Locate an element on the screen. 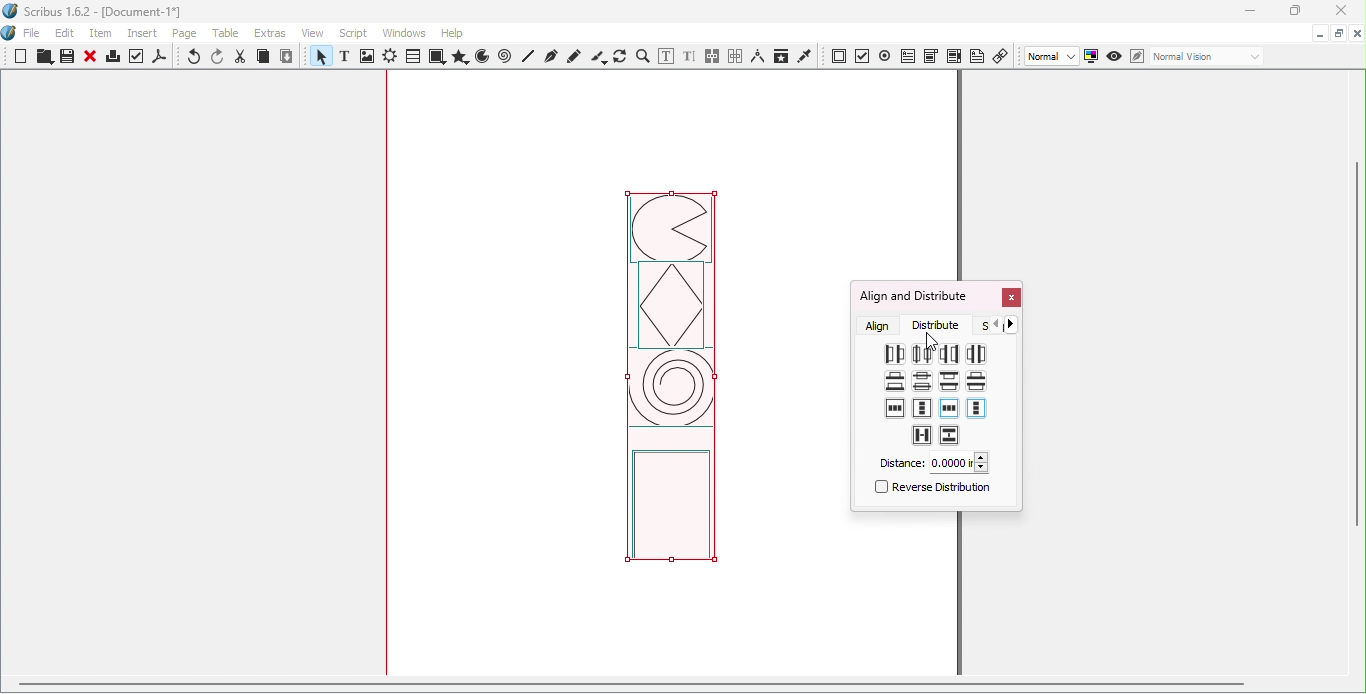 This screenshot has width=1366, height=694. Open is located at coordinates (42, 58).